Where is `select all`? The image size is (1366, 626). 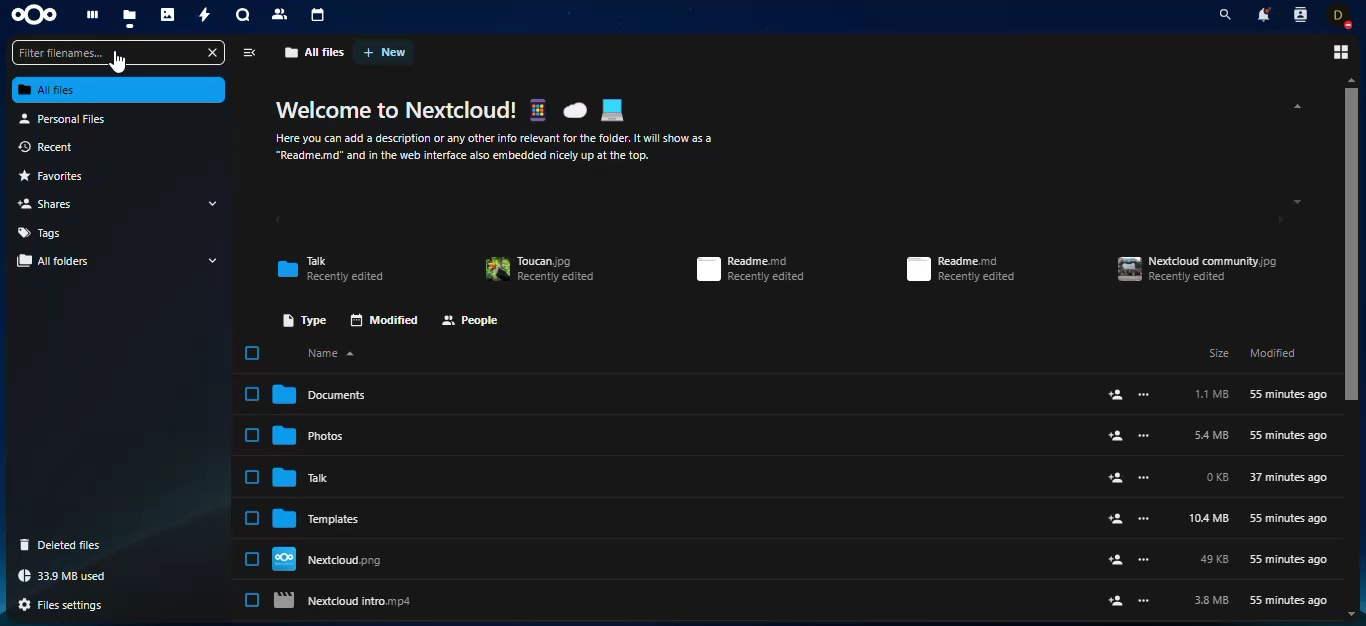 select all is located at coordinates (253, 353).